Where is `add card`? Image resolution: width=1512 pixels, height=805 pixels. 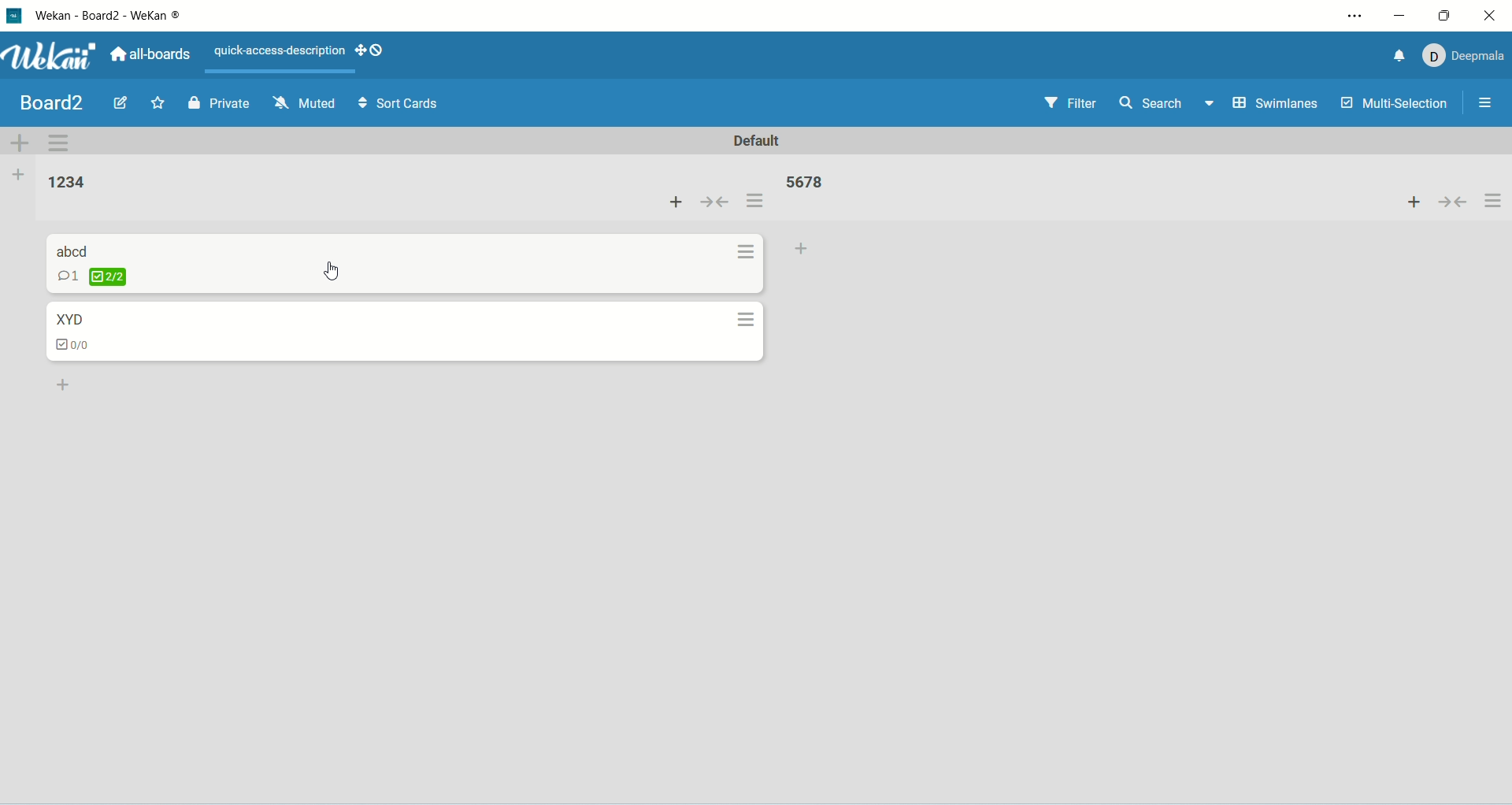
add card is located at coordinates (809, 249).